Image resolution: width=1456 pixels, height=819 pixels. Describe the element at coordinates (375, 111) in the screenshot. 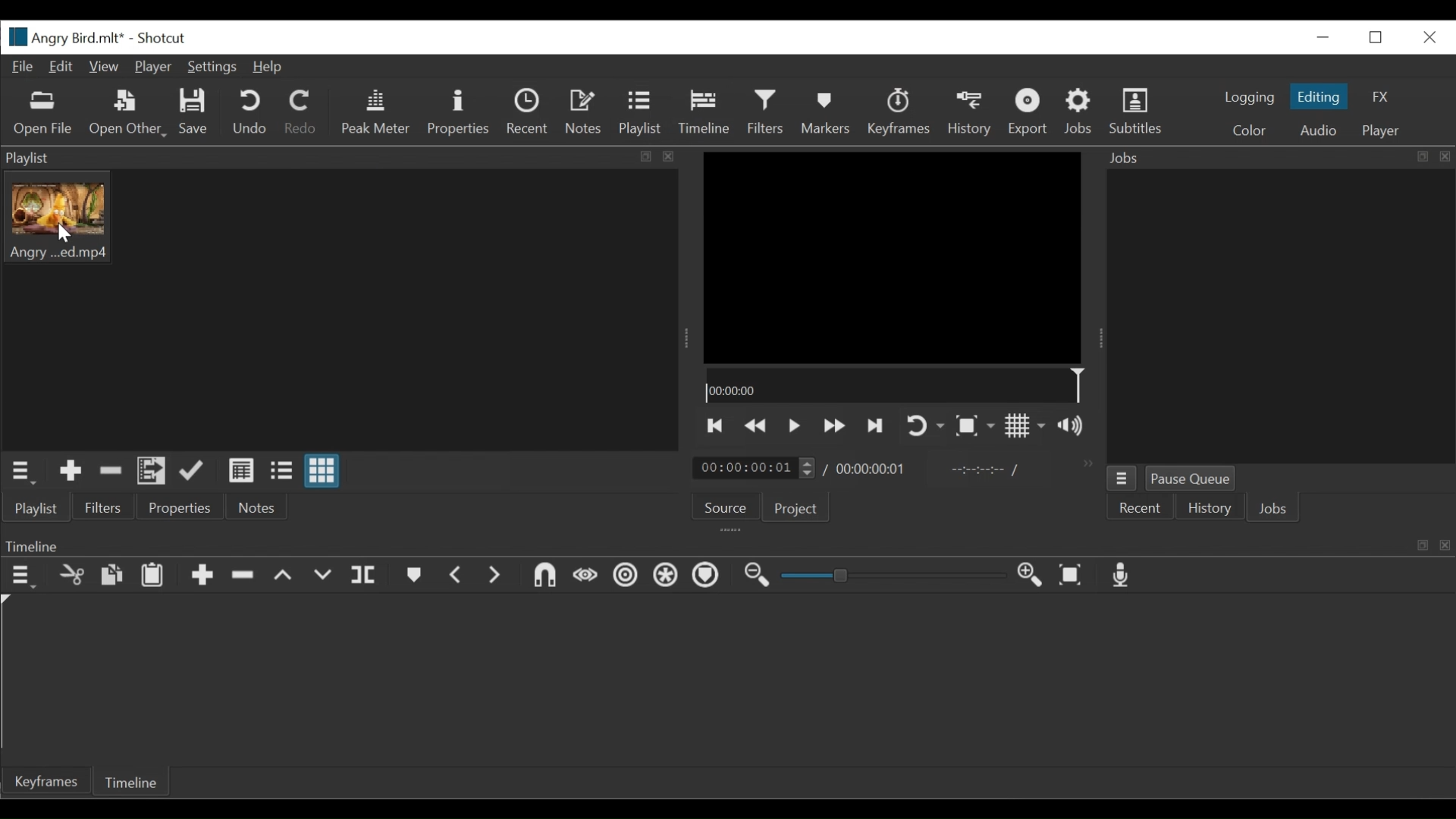

I see `Peak Meter` at that location.